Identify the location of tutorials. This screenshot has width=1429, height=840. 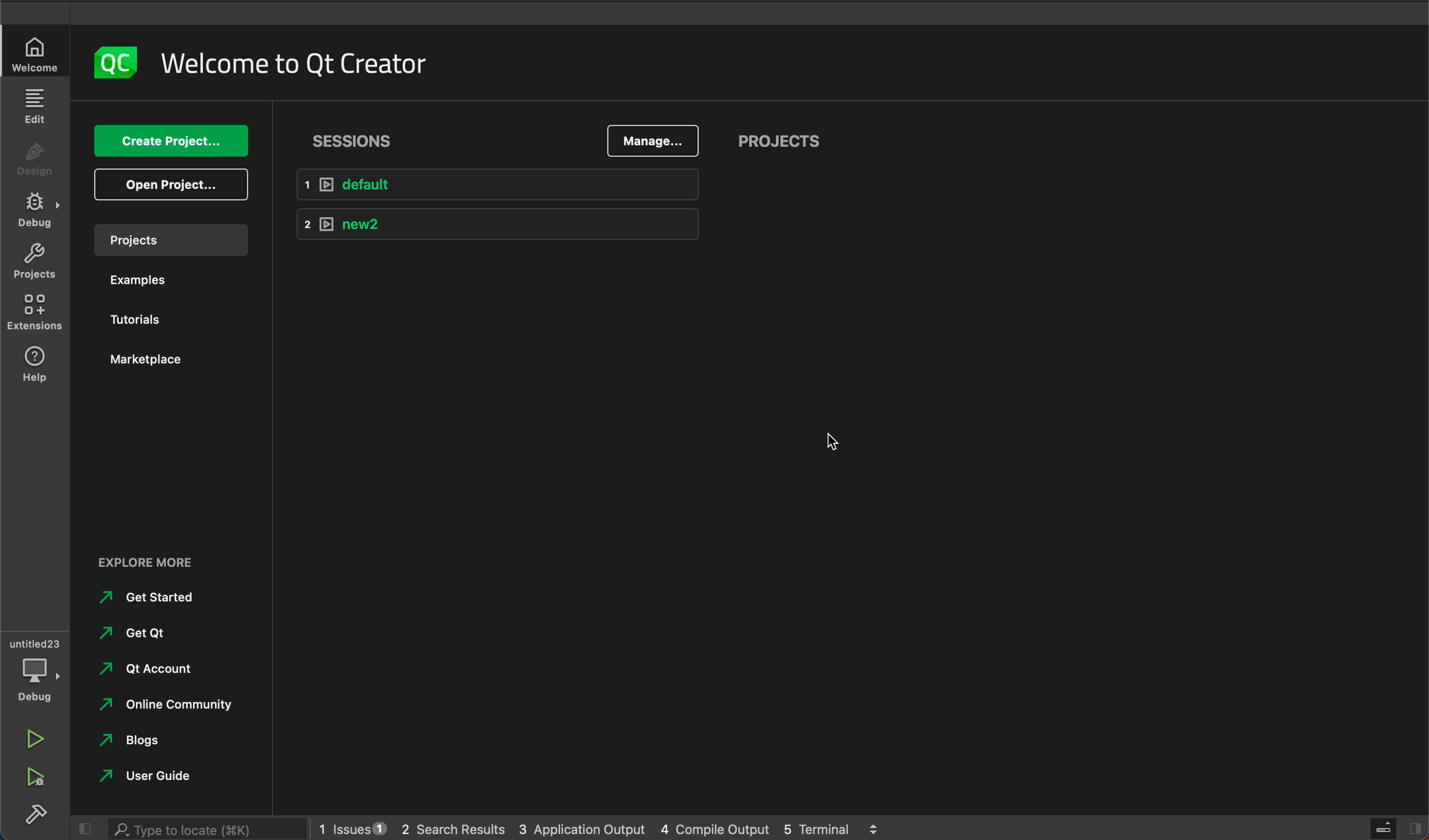
(139, 318).